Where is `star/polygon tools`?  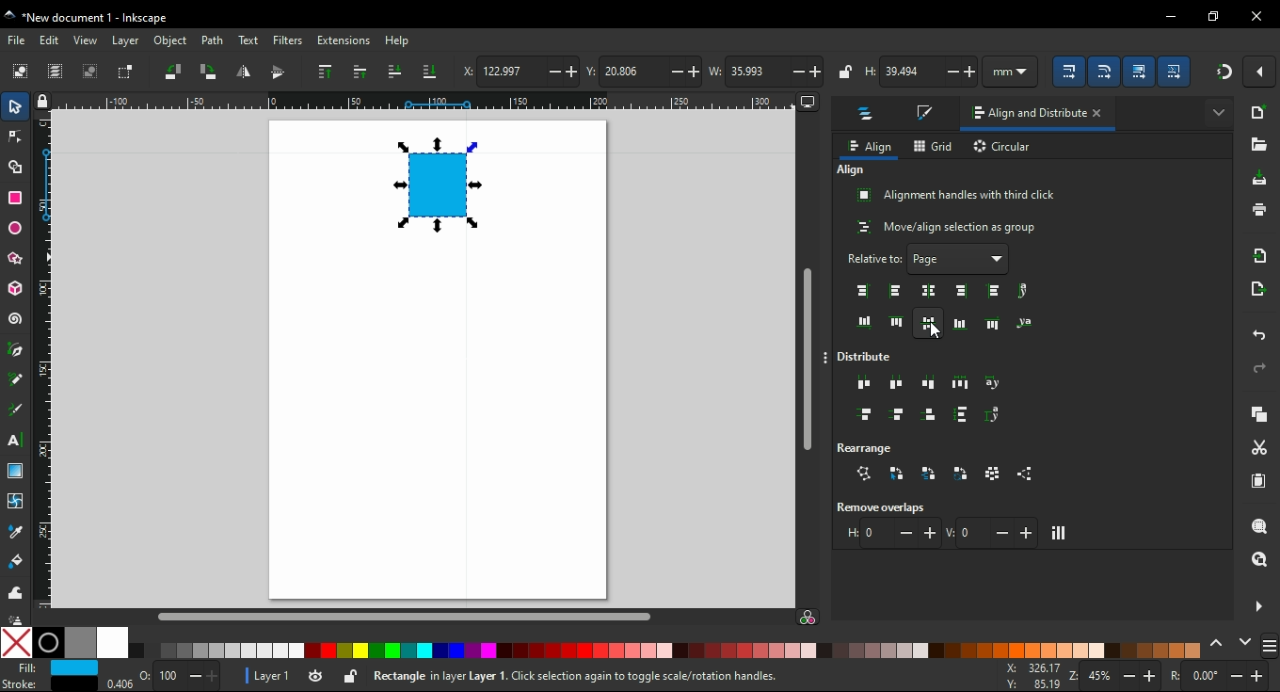
star/polygon tools is located at coordinates (17, 255).